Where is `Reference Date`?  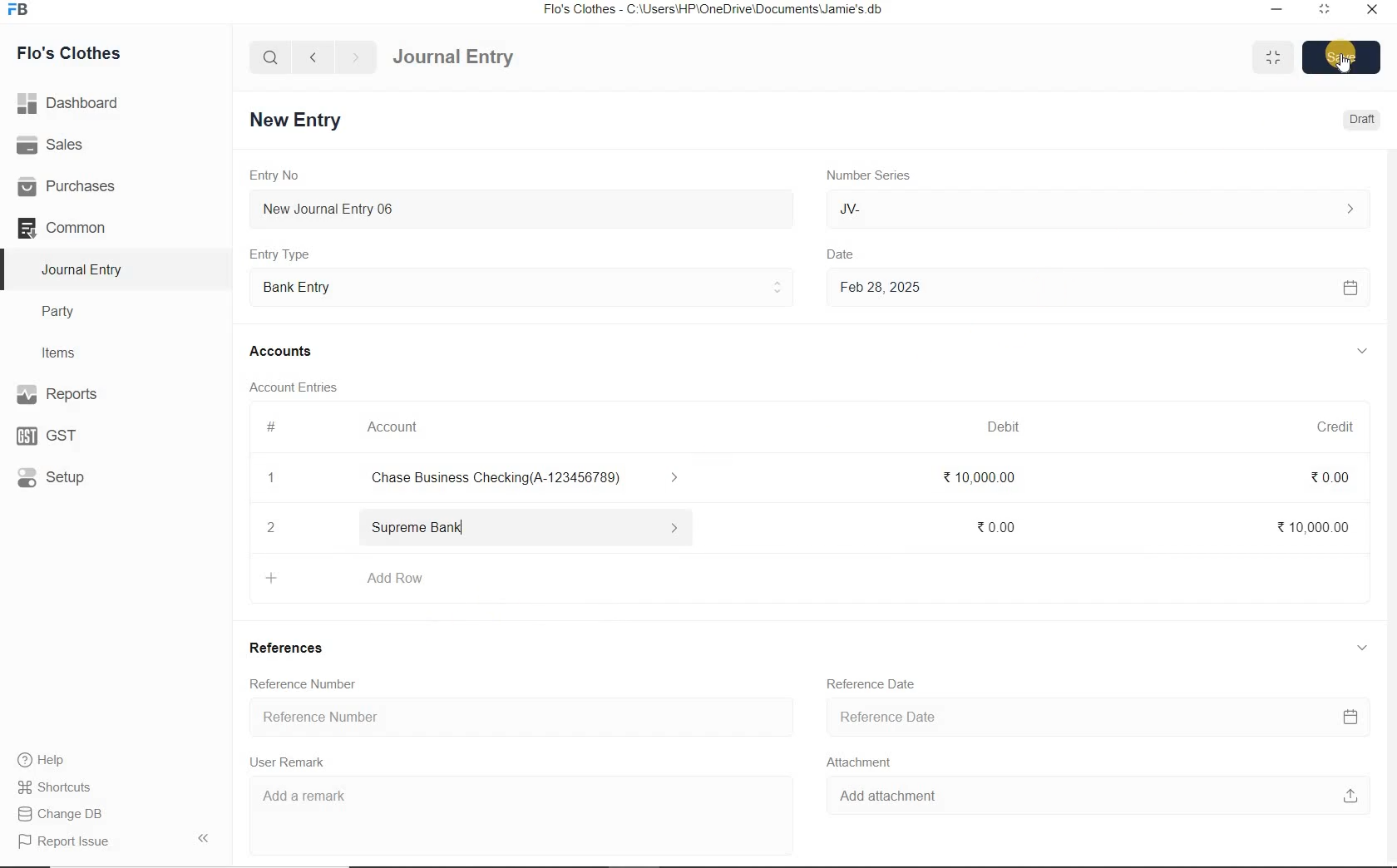 Reference Date is located at coordinates (879, 689).